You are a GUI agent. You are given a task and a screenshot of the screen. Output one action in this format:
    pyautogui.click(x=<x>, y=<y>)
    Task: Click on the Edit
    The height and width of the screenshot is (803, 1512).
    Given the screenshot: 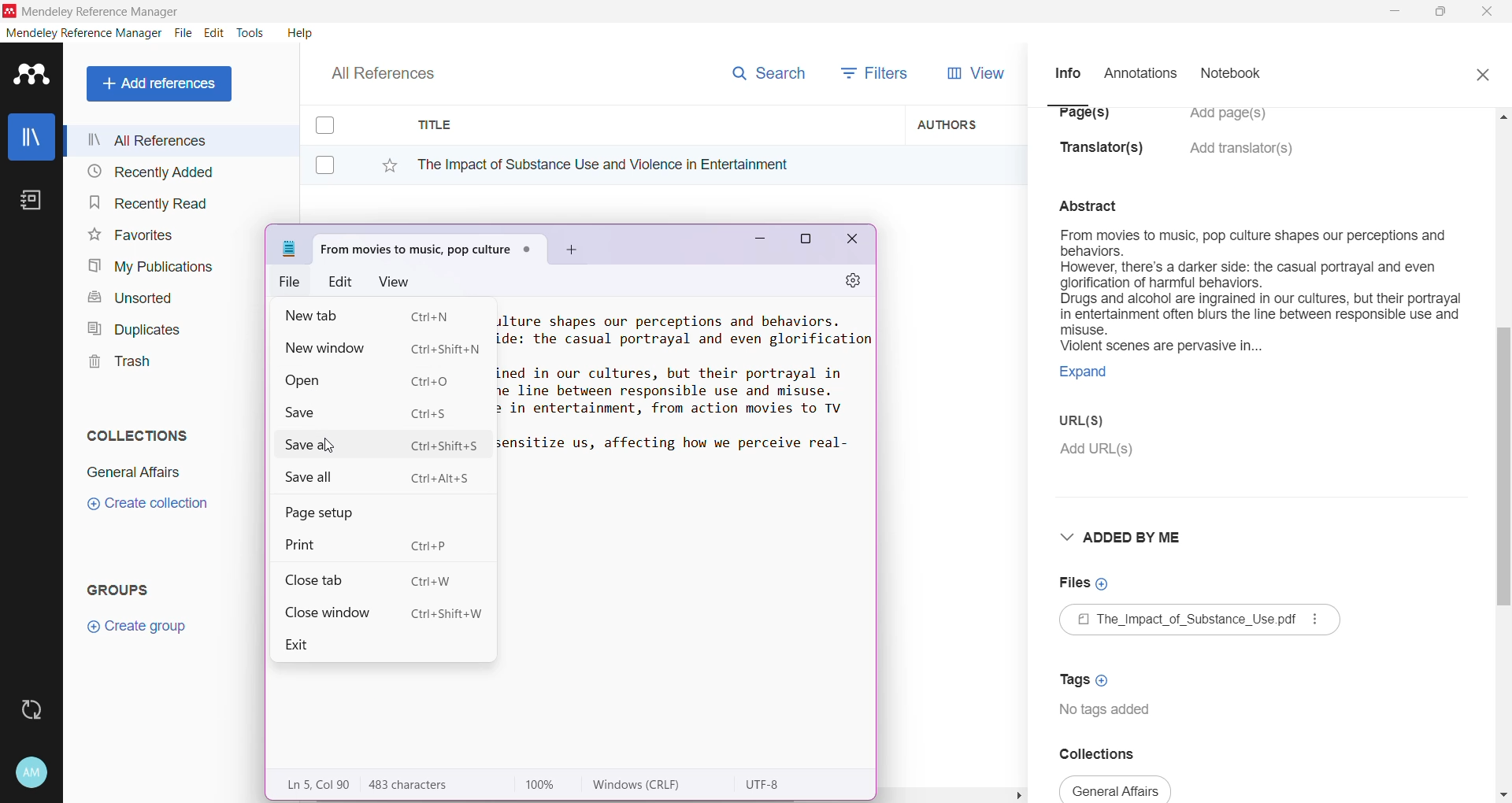 What is the action you would take?
    pyautogui.click(x=214, y=33)
    